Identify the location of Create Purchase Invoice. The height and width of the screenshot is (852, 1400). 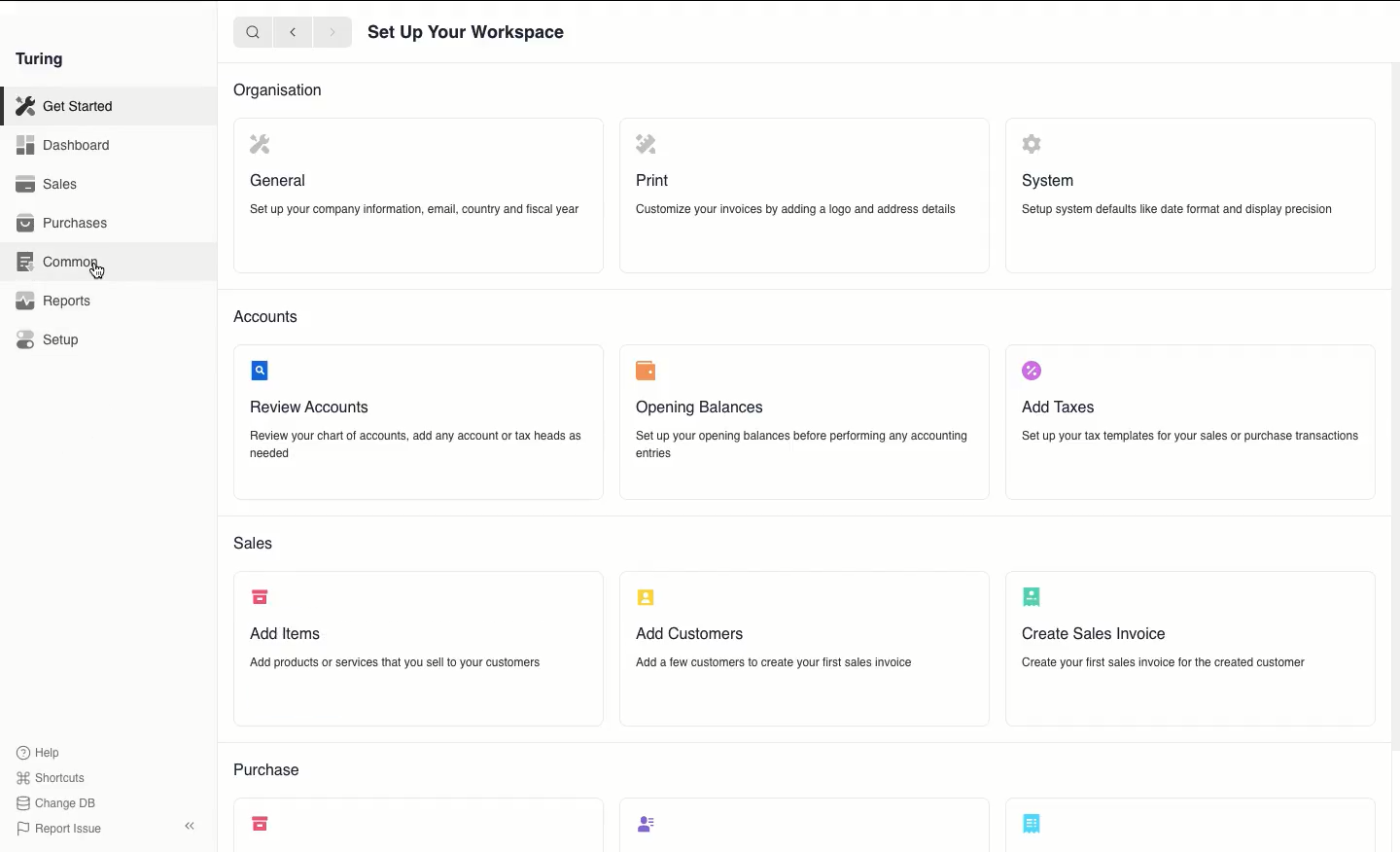
(1027, 822).